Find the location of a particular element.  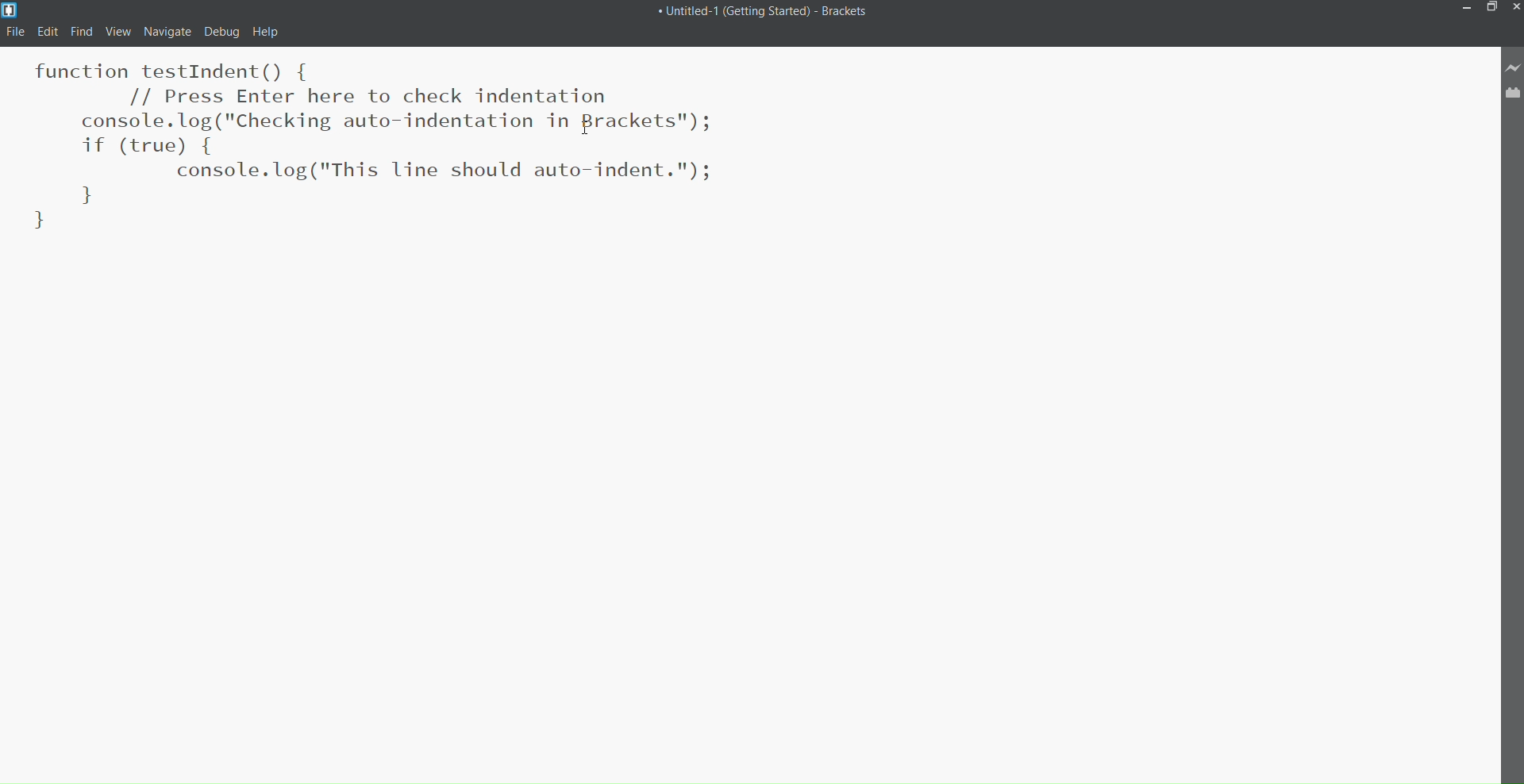

Code is located at coordinates (425, 153).